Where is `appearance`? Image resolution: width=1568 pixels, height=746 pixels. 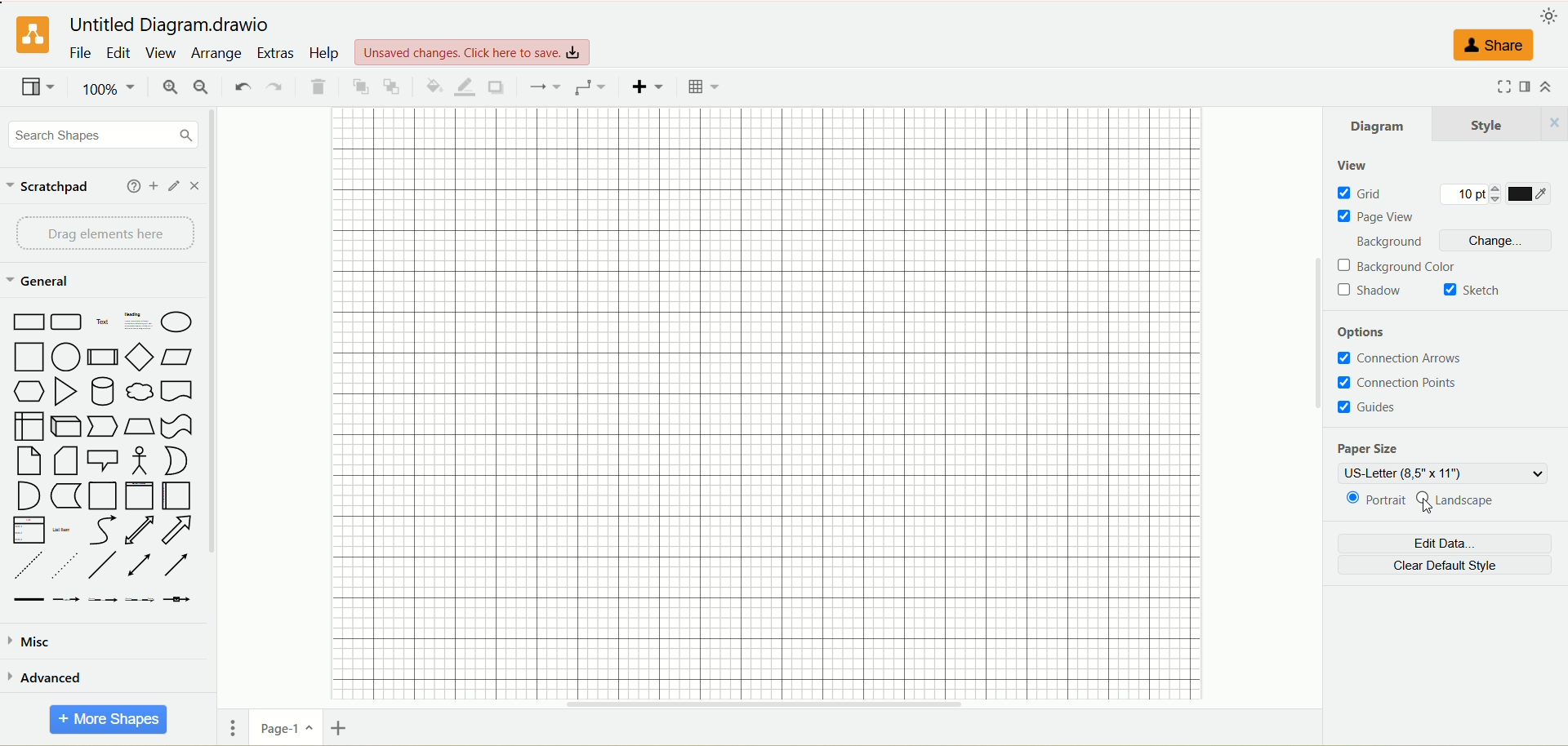 appearance is located at coordinates (1550, 16).